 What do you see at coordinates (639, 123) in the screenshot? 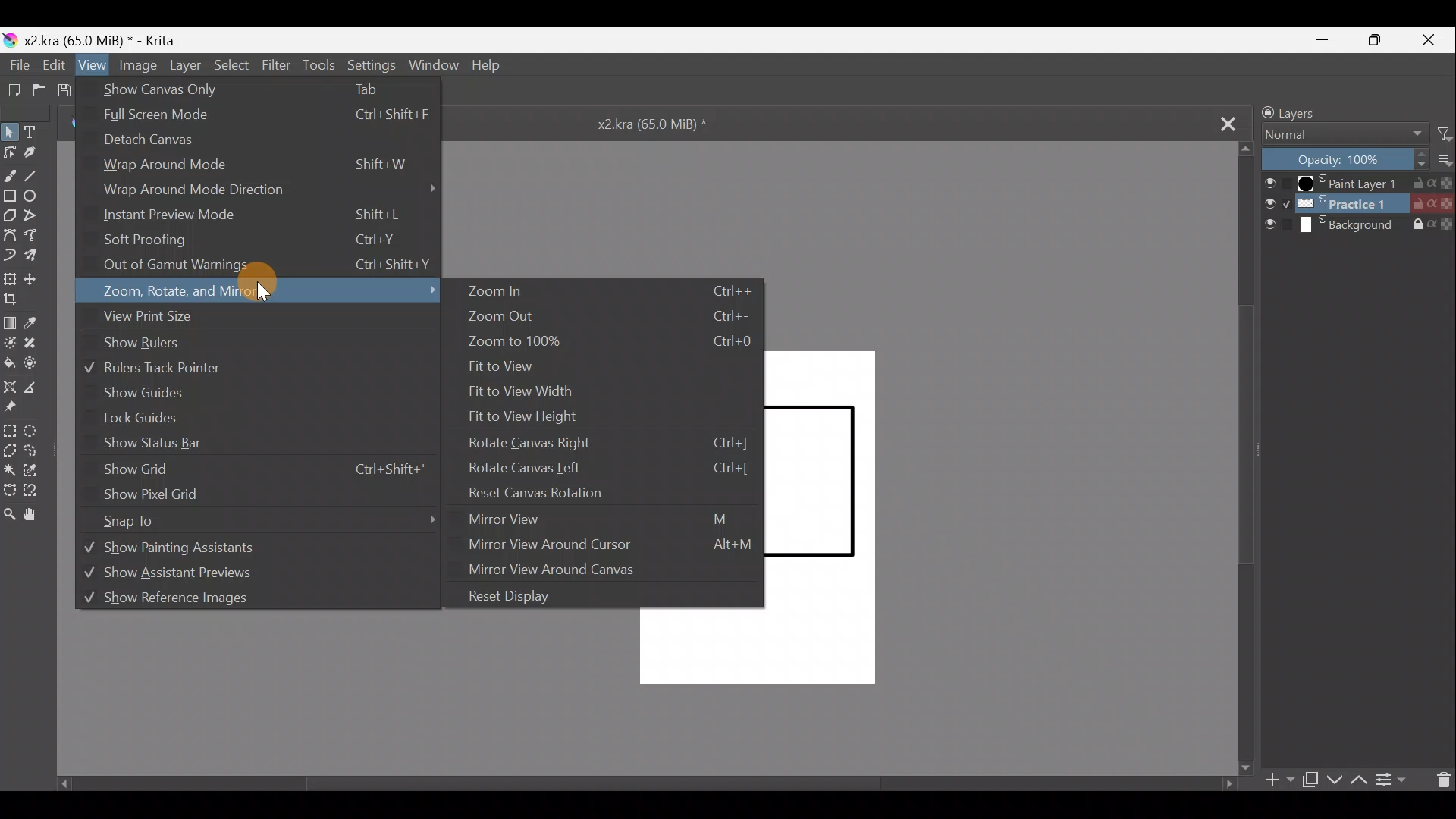
I see `x2.kra` at bounding box center [639, 123].